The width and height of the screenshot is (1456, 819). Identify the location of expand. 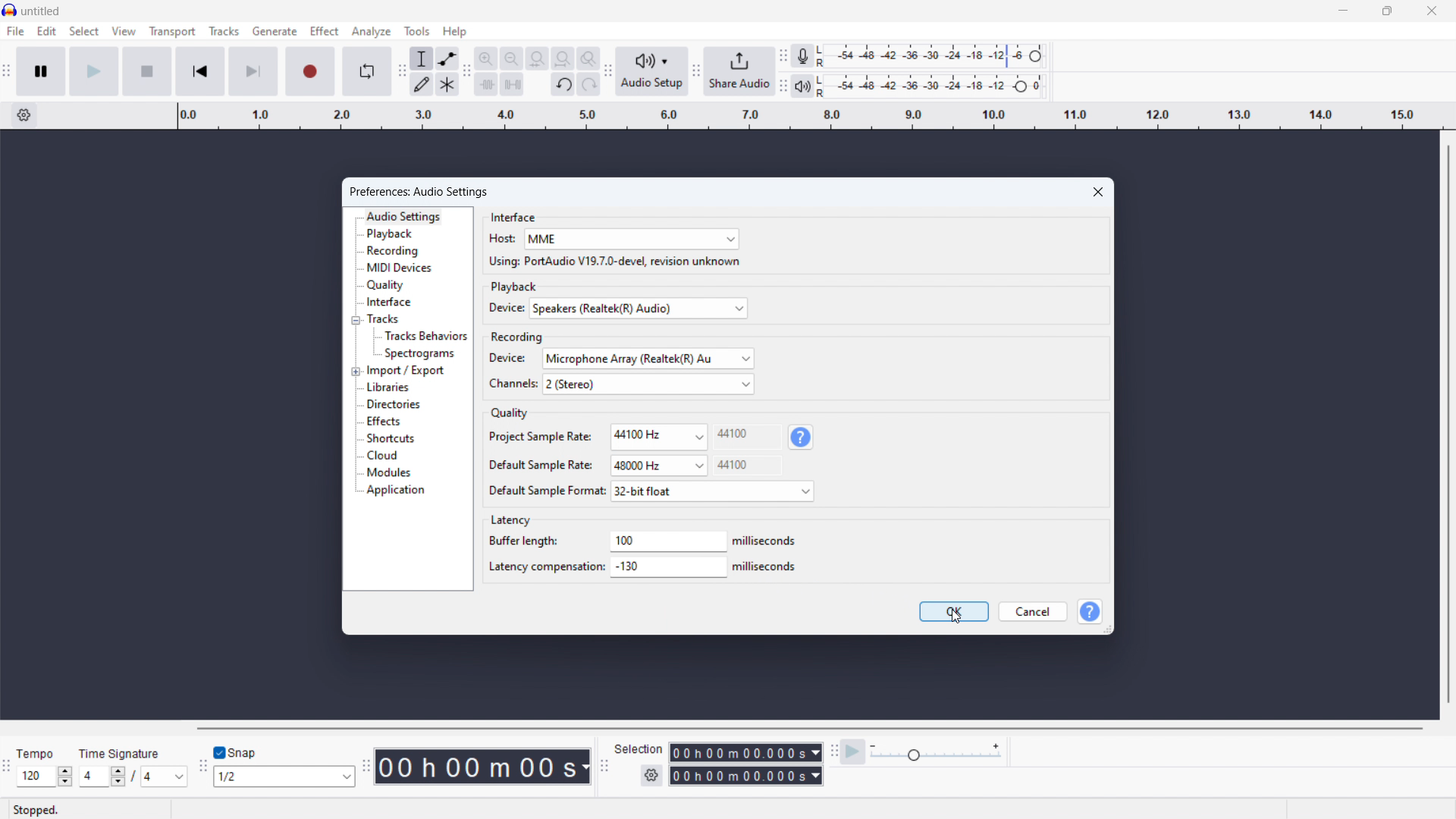
(355, 371).